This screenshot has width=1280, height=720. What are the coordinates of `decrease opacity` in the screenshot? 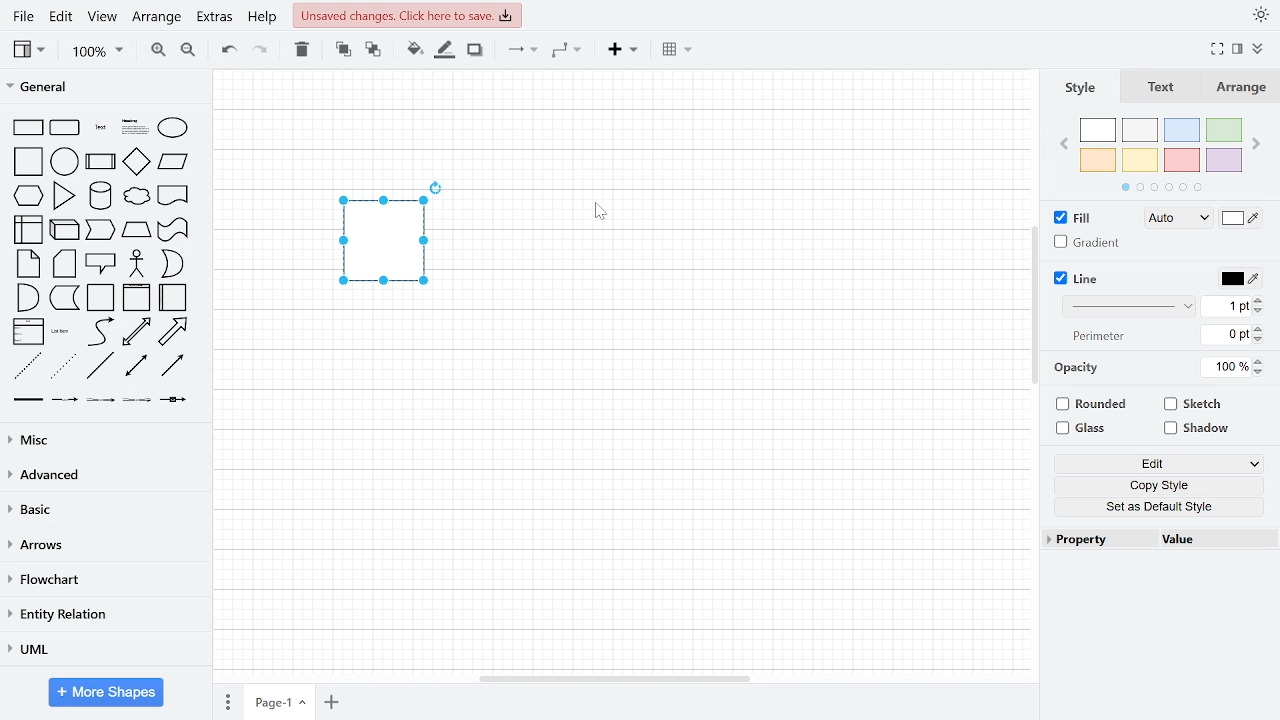 It's located at (1259, 371).